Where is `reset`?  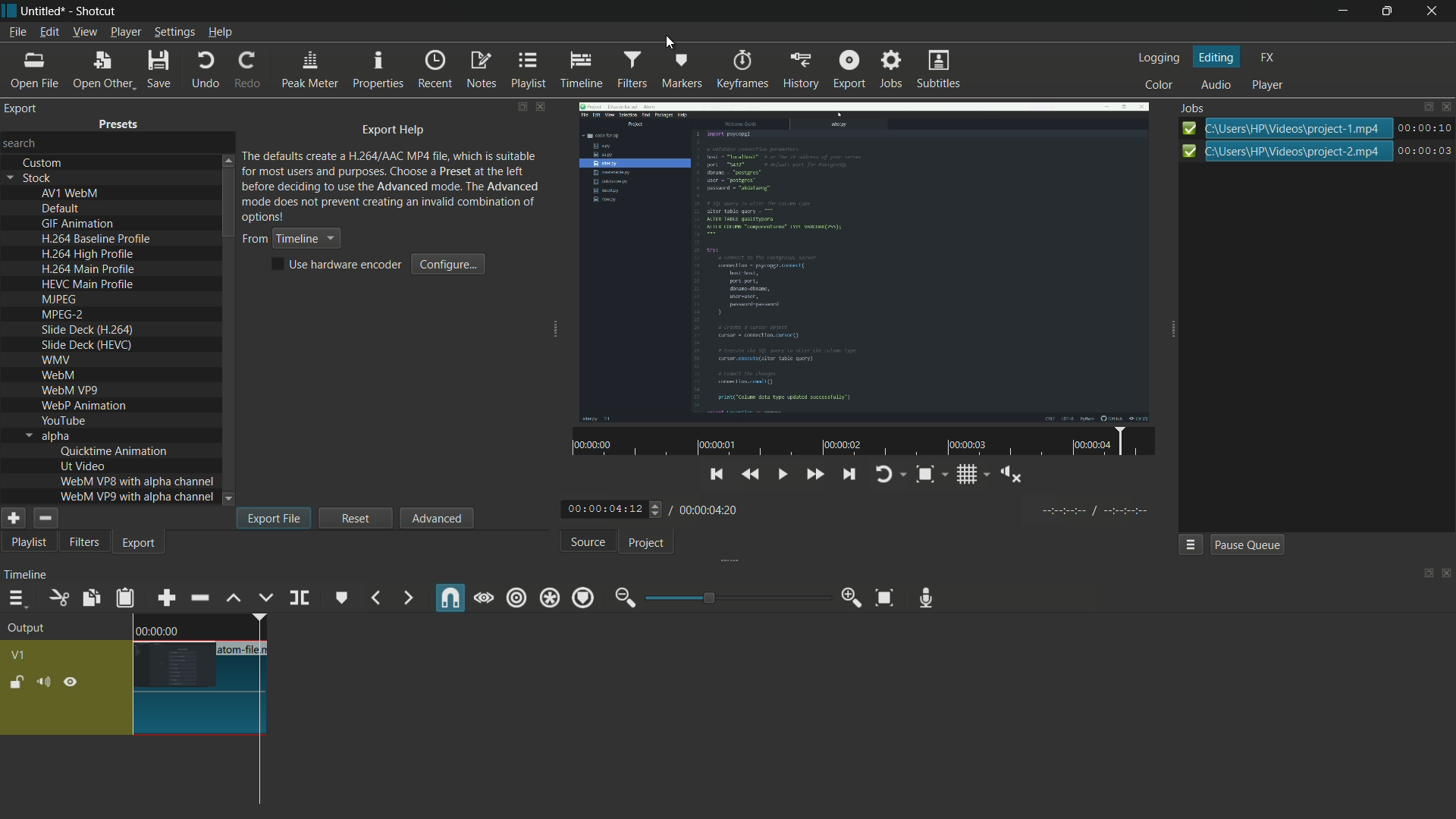
reset is located at coordinates (356, 517).